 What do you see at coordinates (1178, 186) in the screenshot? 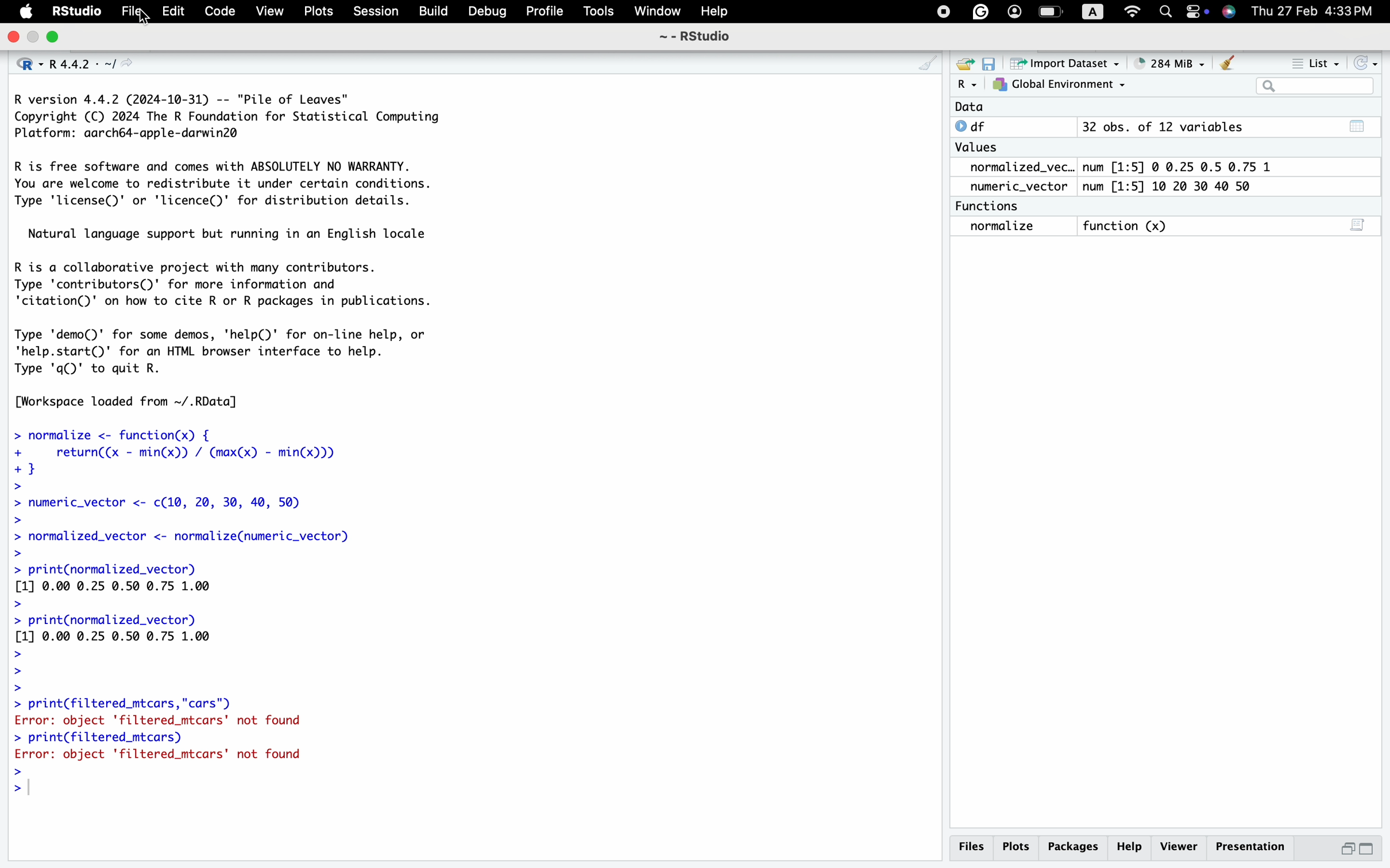
I see `num [1:5] 10 20 30 40 50` at bounding box center [1178, 186].